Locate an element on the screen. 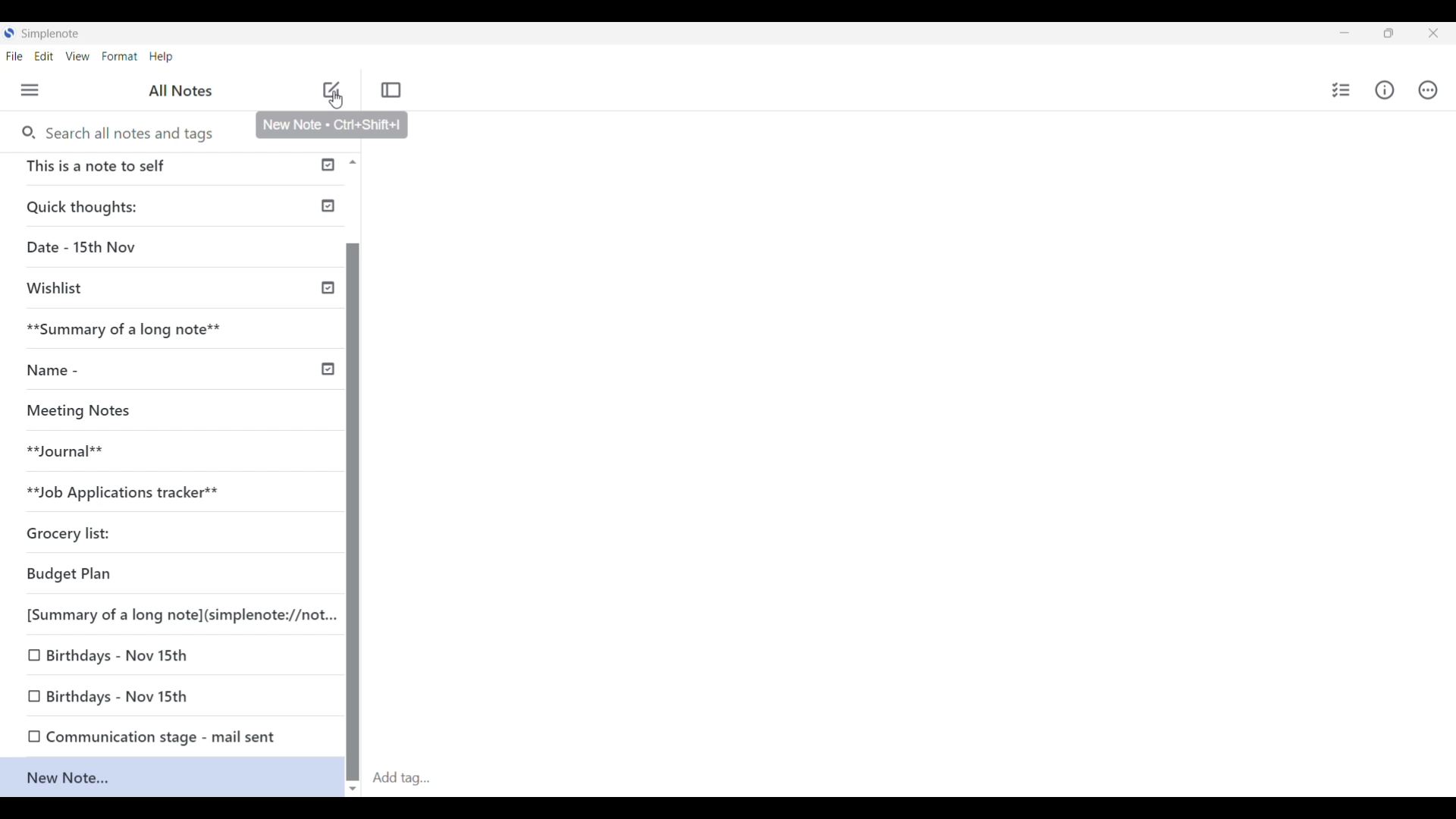 The image size is (1456, 819). Help menu is located at coordinates (162, 56).